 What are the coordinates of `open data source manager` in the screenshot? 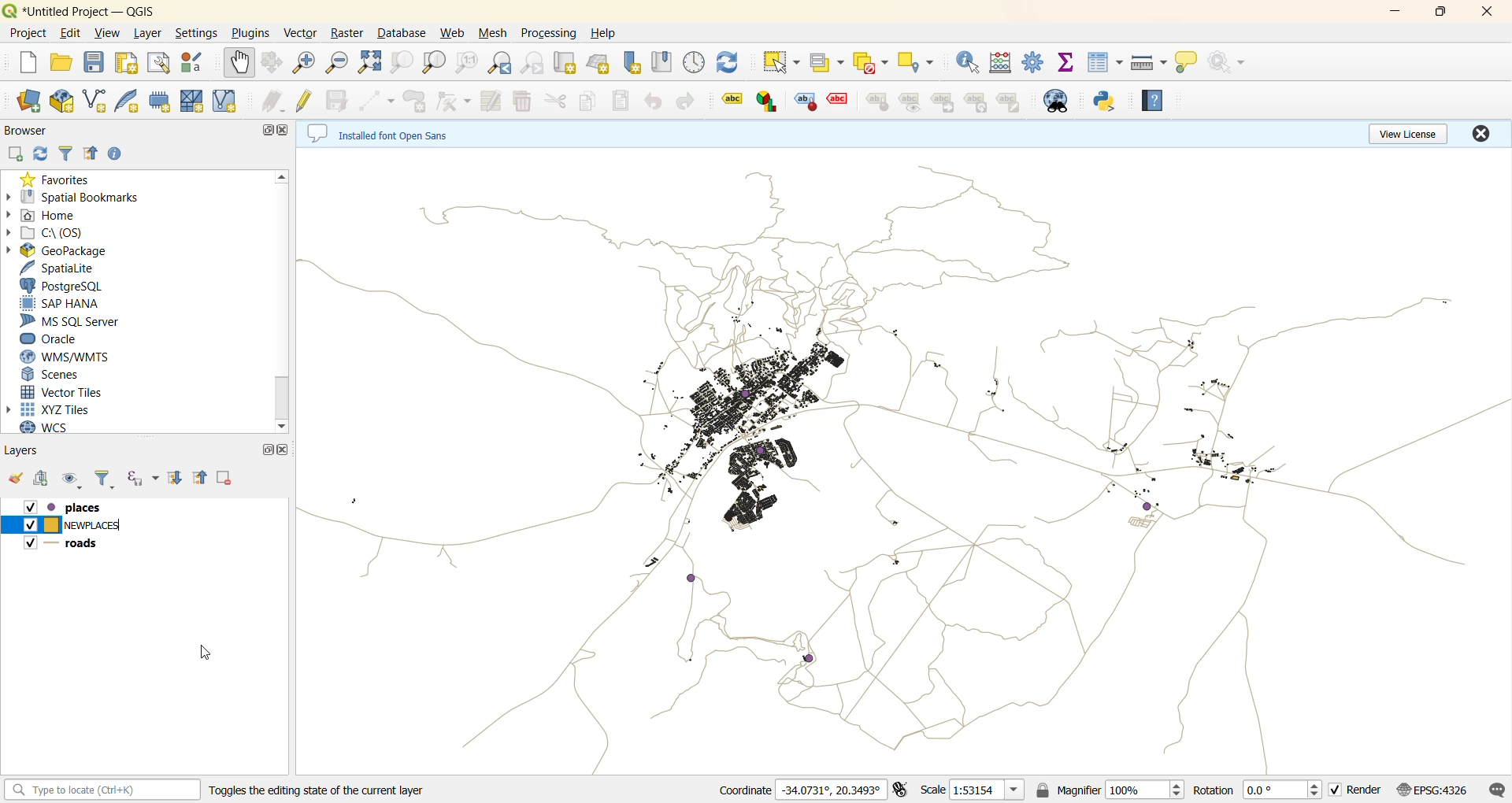 It's located at (28, 101).